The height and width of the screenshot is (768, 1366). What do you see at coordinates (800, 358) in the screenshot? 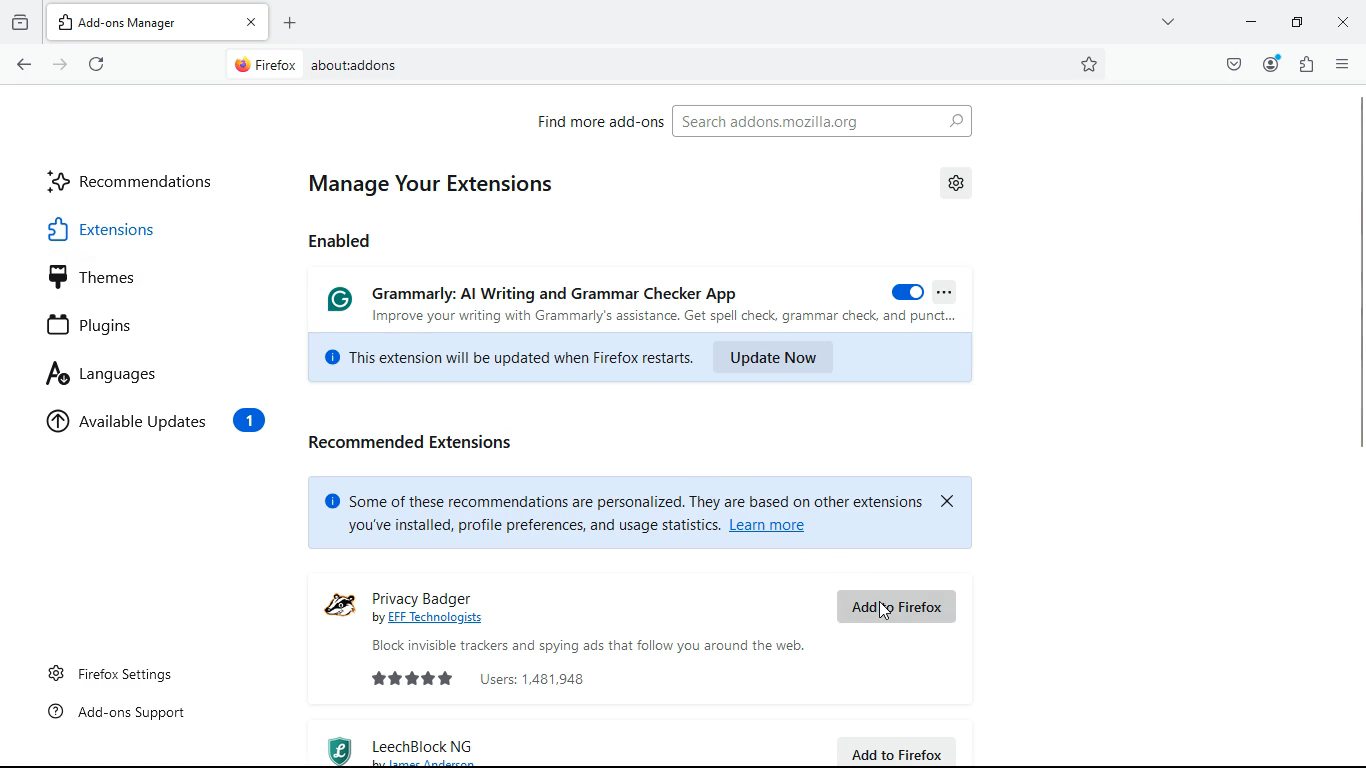
I see `update now` at bounding box center [800, 358].